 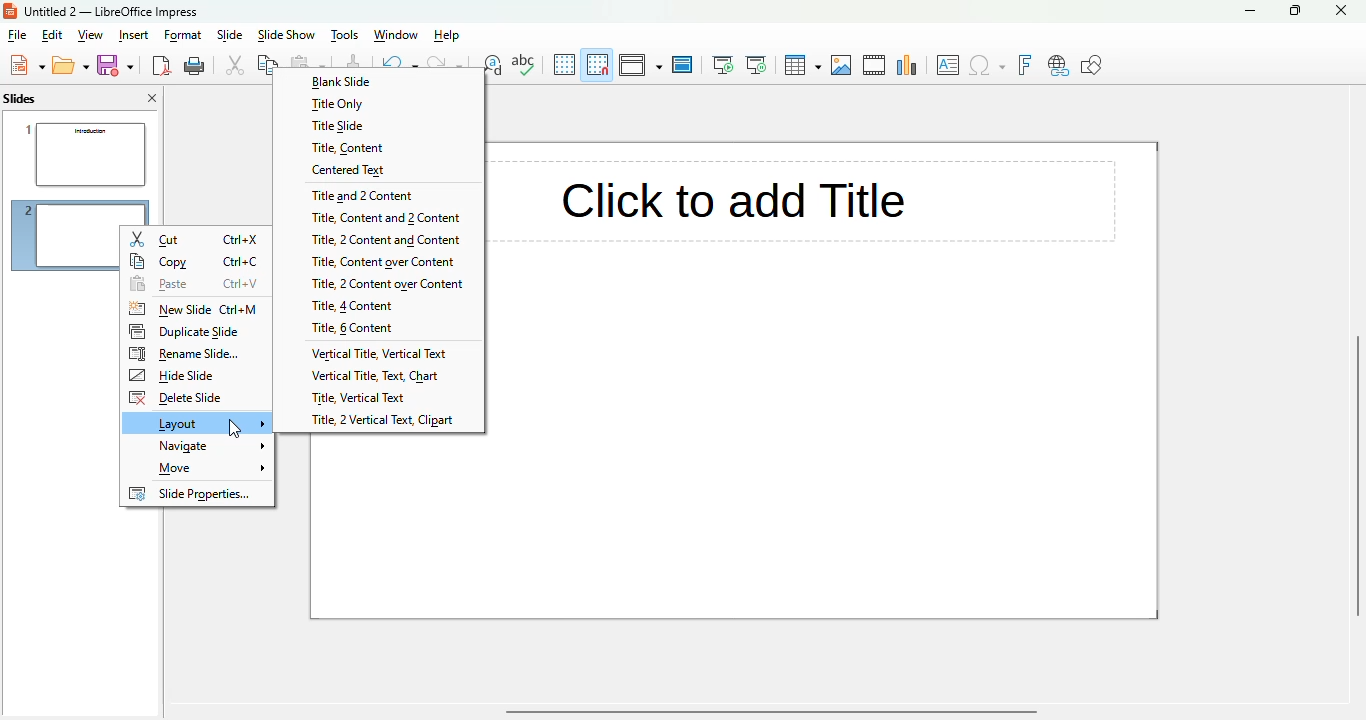 I want to click on slide properties, so click(x=196, y=493).